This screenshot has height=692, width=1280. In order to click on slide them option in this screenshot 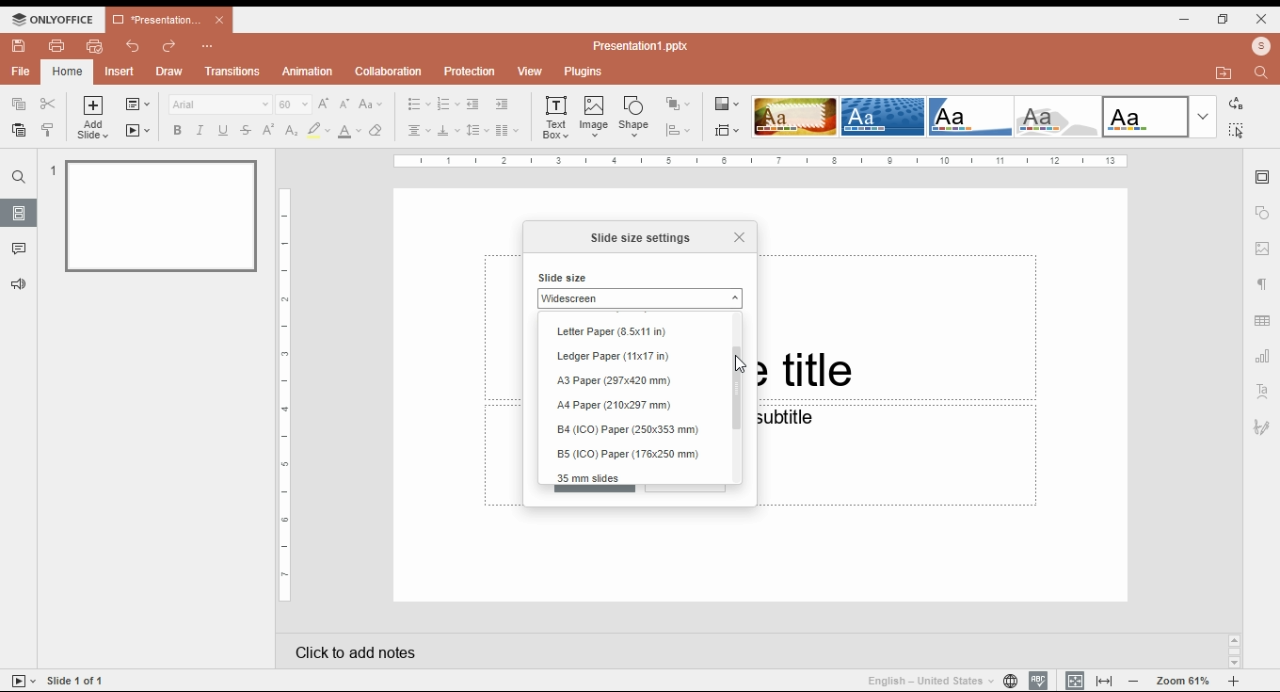, I will do `click(972, 116)`.